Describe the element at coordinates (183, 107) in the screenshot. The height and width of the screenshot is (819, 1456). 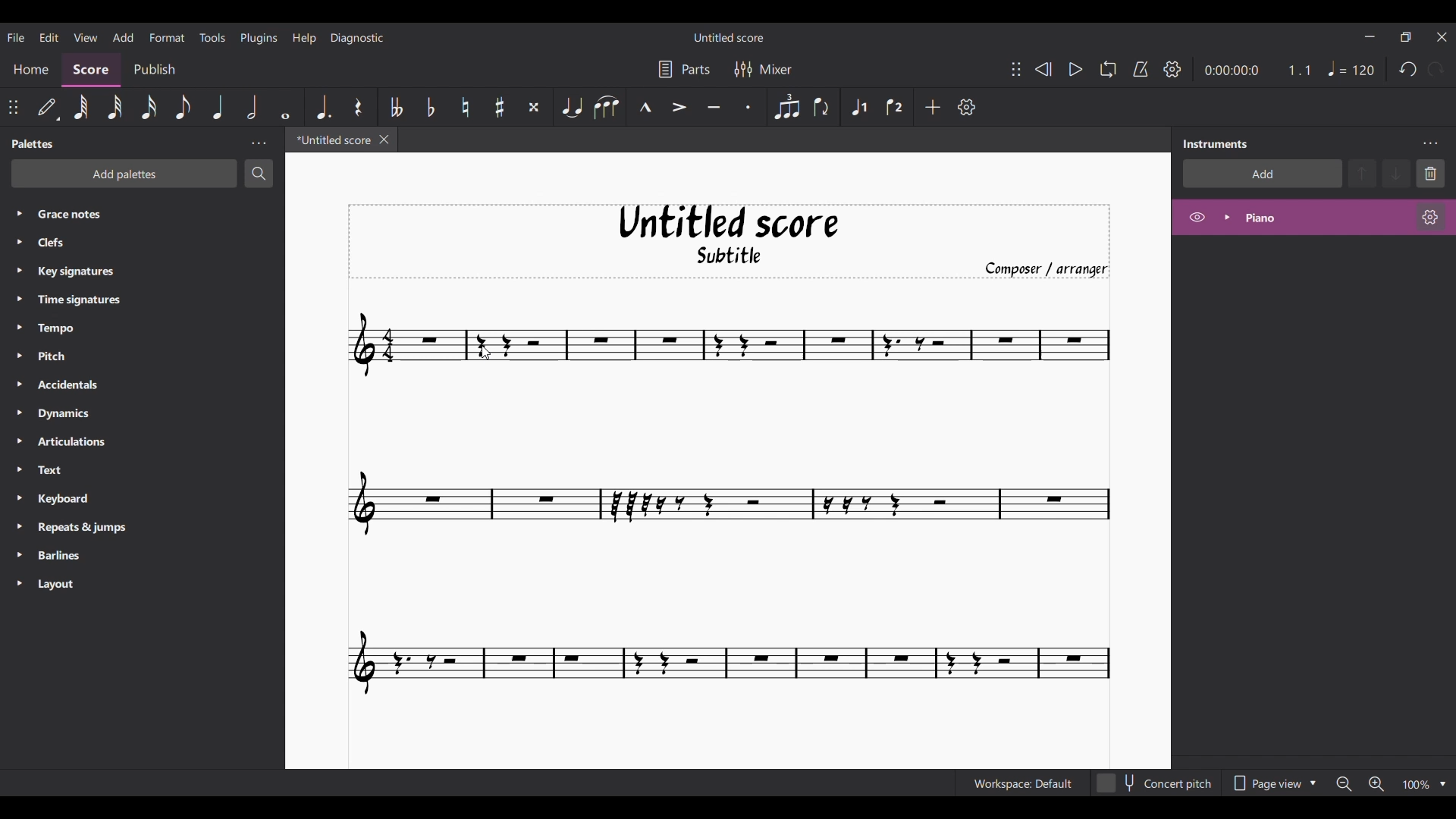
I see `8th note` at that location.